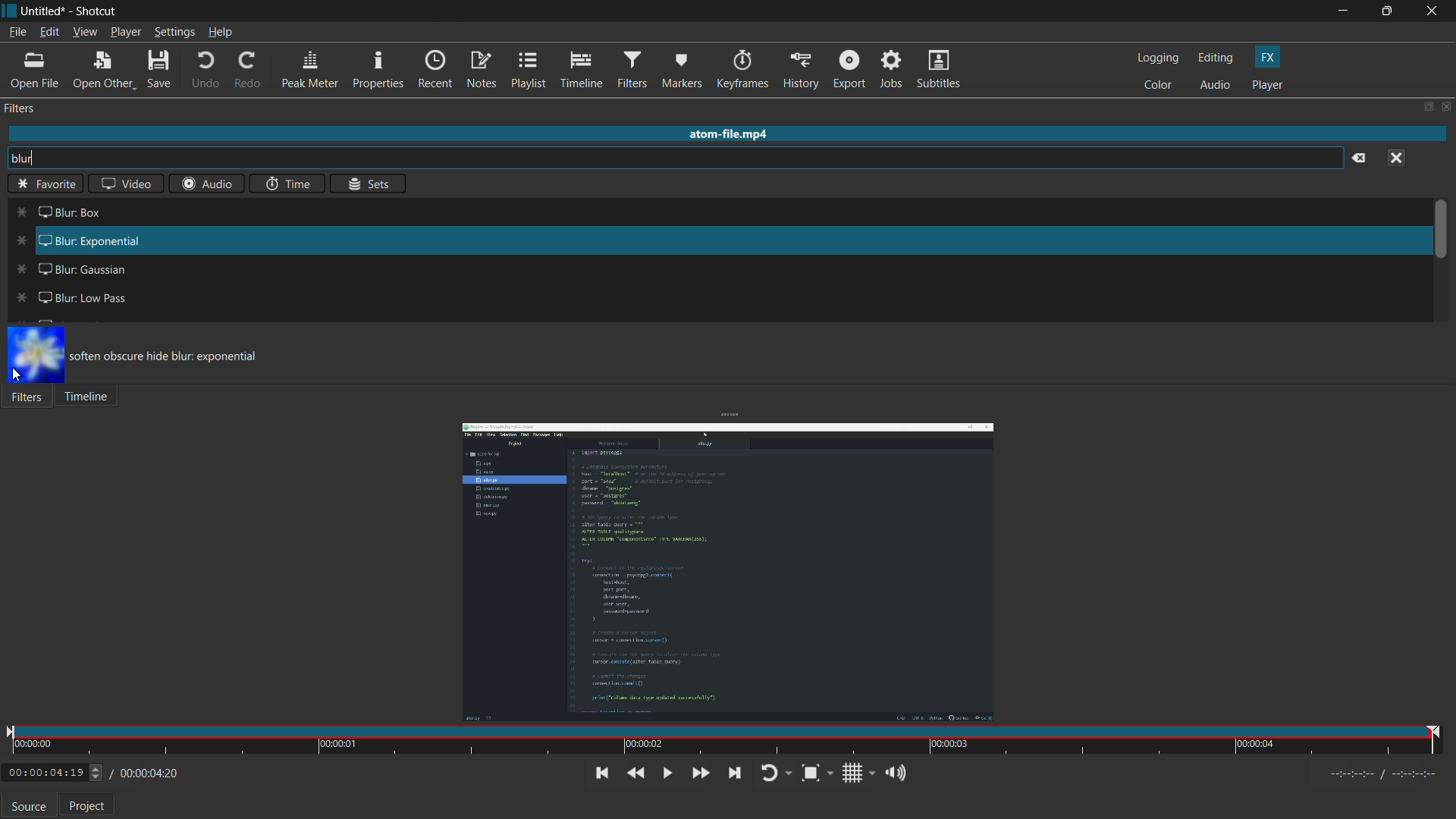  Describe the element at coordinates (377, 71) in the screenshot. I see `properties` at that location.